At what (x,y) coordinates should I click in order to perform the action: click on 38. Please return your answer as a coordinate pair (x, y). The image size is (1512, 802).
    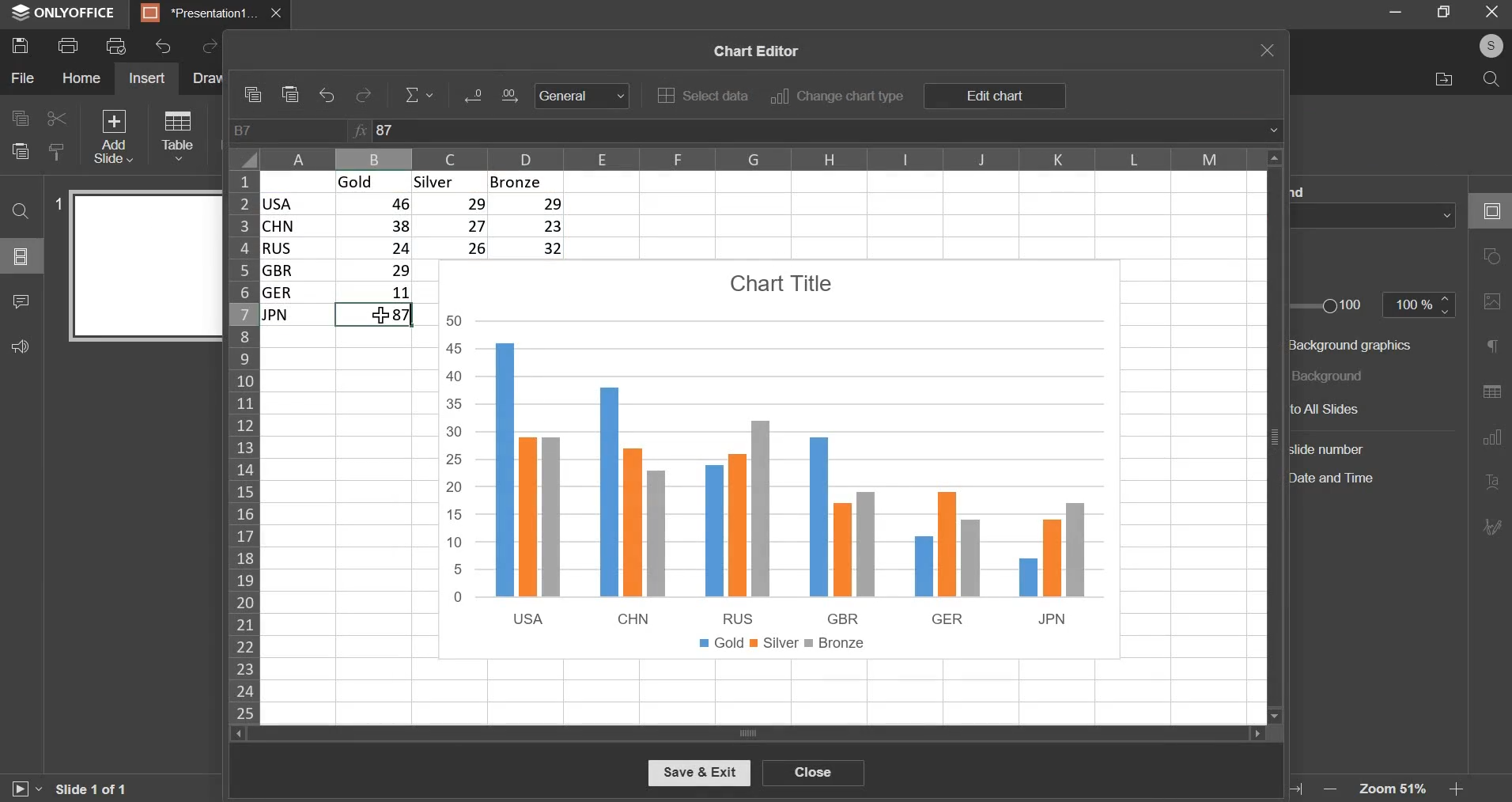
    Looking at the image, I should click on (375, 227).